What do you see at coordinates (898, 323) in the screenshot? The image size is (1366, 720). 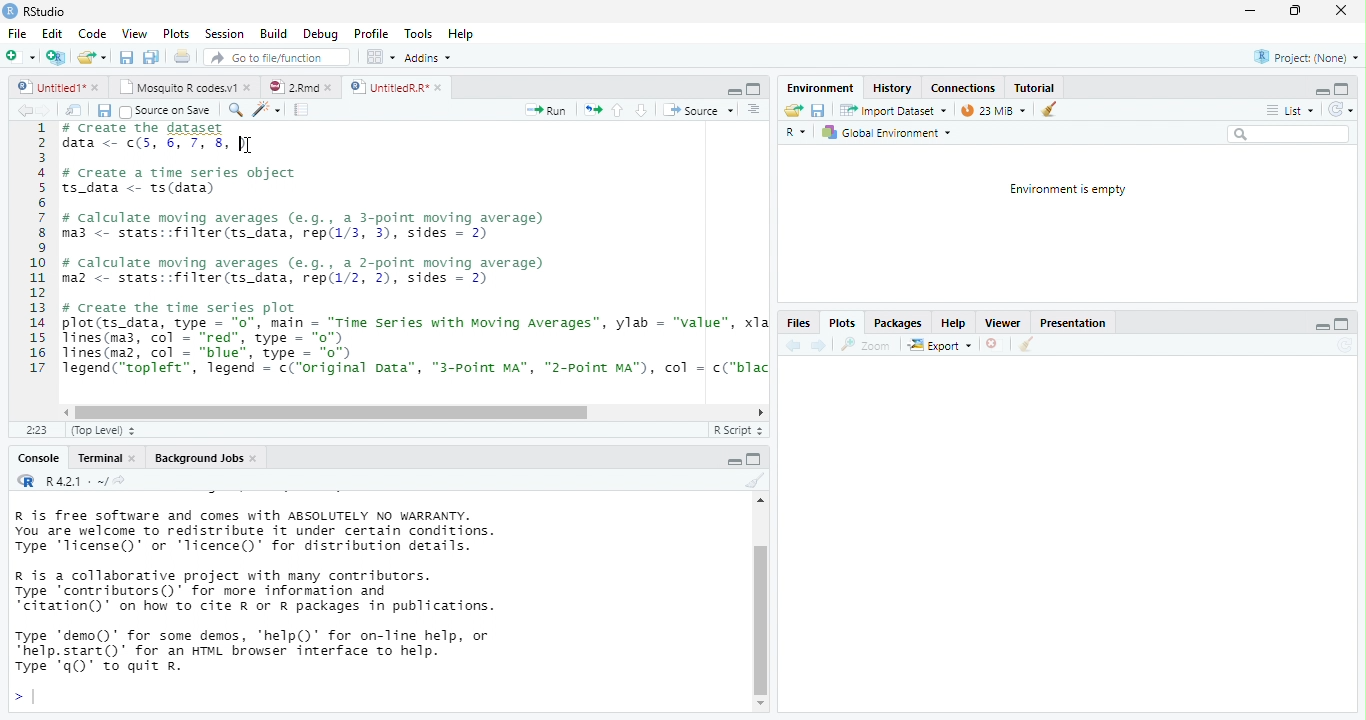 I see `Packages` at bounding box center [898, 323].